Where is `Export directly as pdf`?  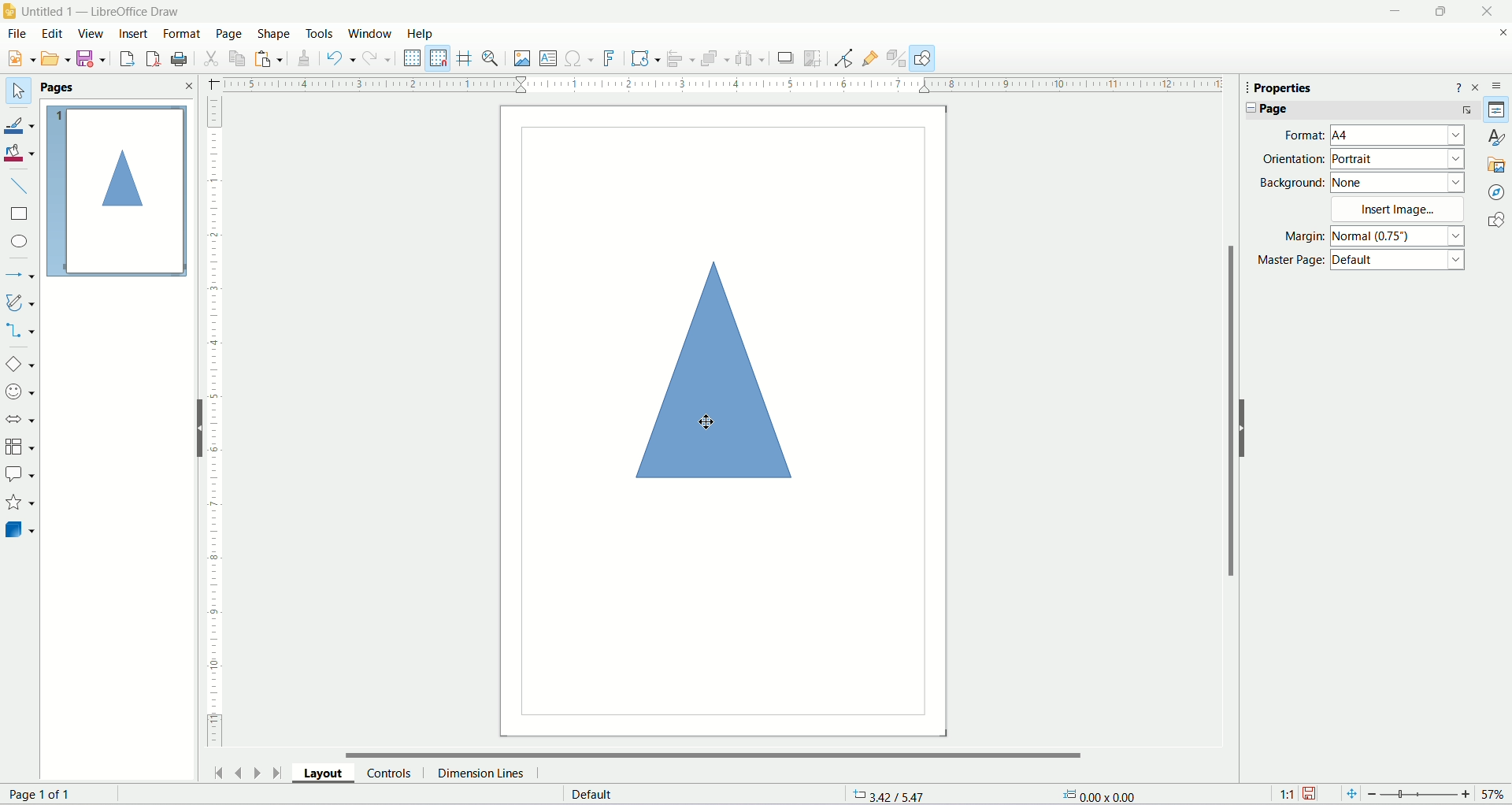 Export directly as pdf is located at coordinates (152, 58).